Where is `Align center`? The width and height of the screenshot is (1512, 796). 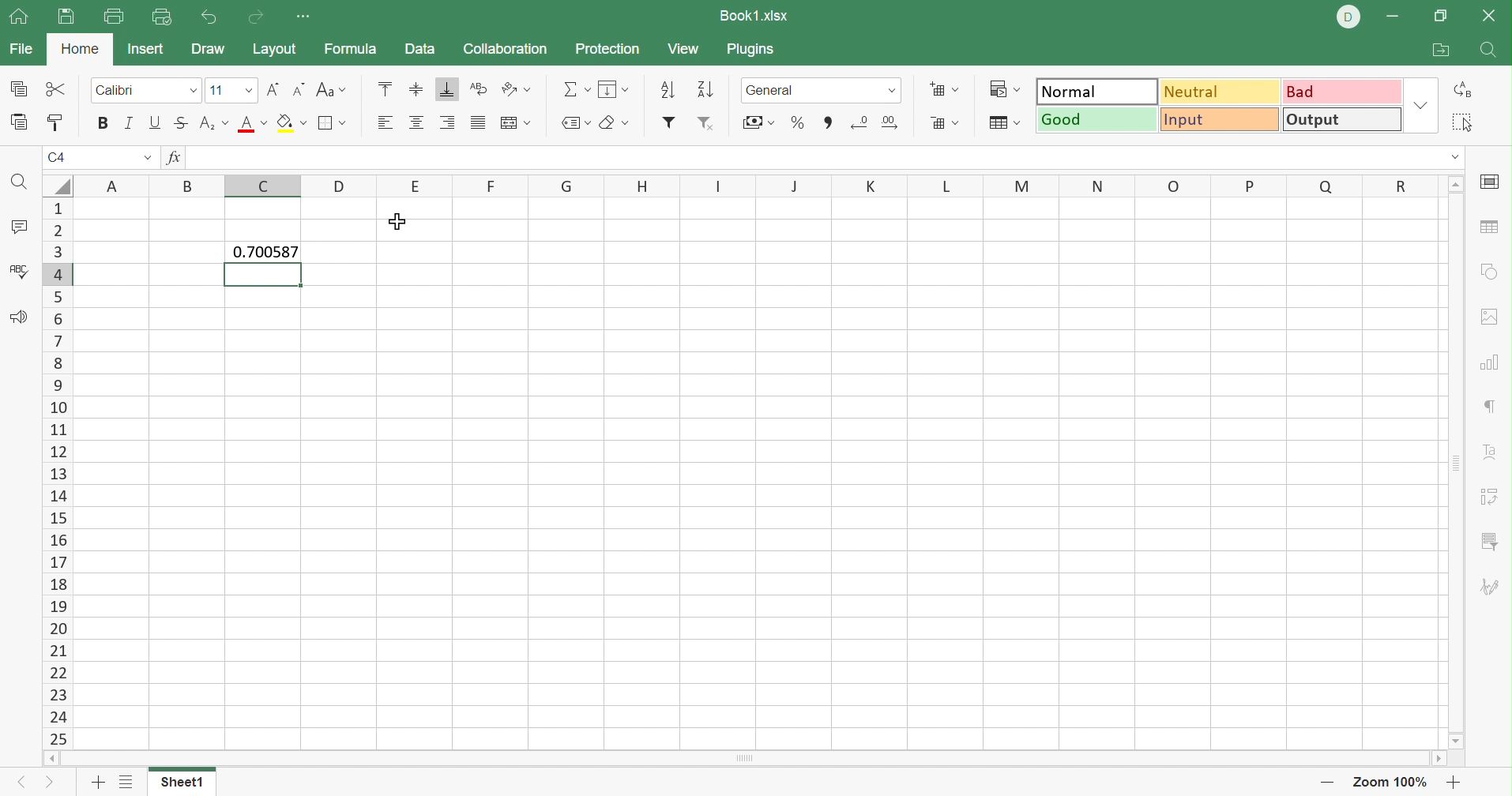
Align center is located at coordinates (415, 121).